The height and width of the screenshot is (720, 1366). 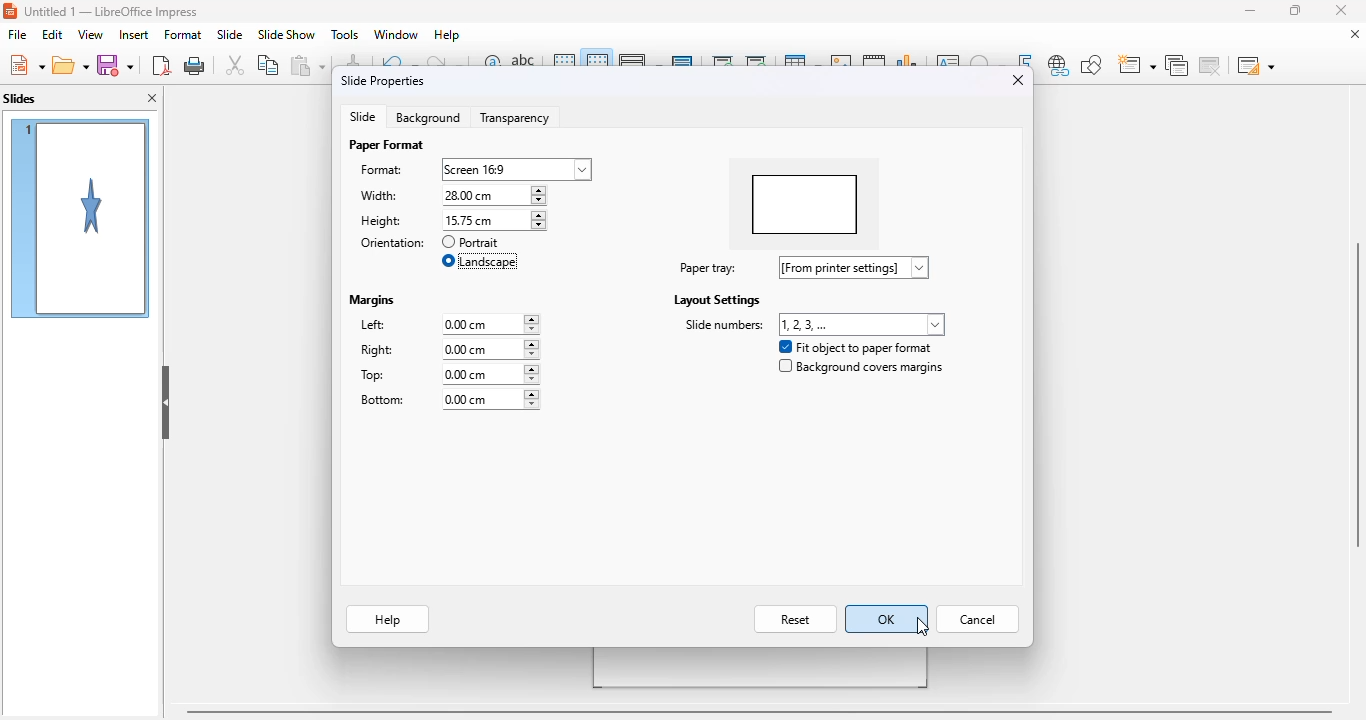 What do you see at coordinates (70, 65) in the screenshot?
I see `open` at bounding box center [70, 65].